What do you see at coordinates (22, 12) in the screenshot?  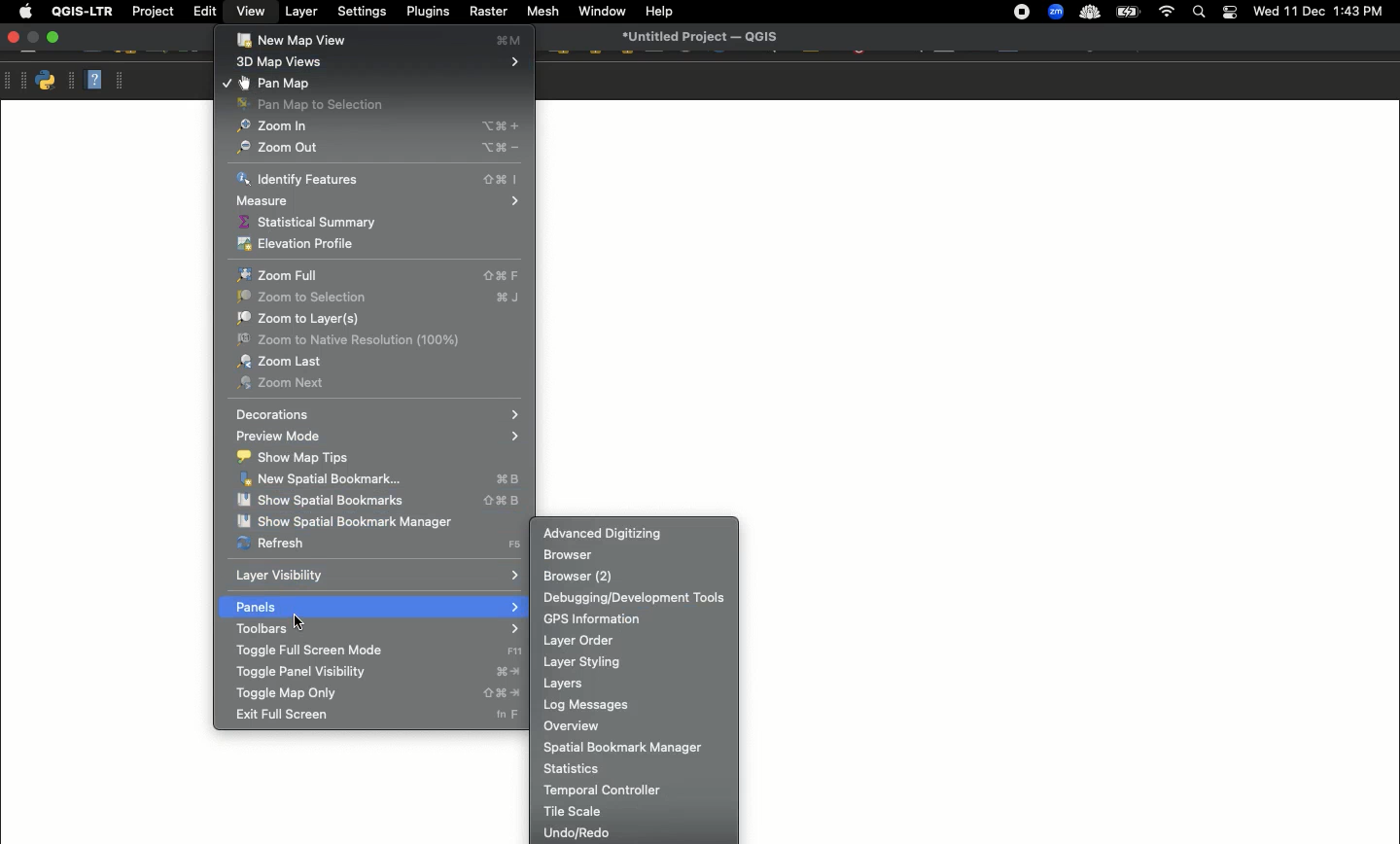 I see `Apple` at bounding box center [22, 12].